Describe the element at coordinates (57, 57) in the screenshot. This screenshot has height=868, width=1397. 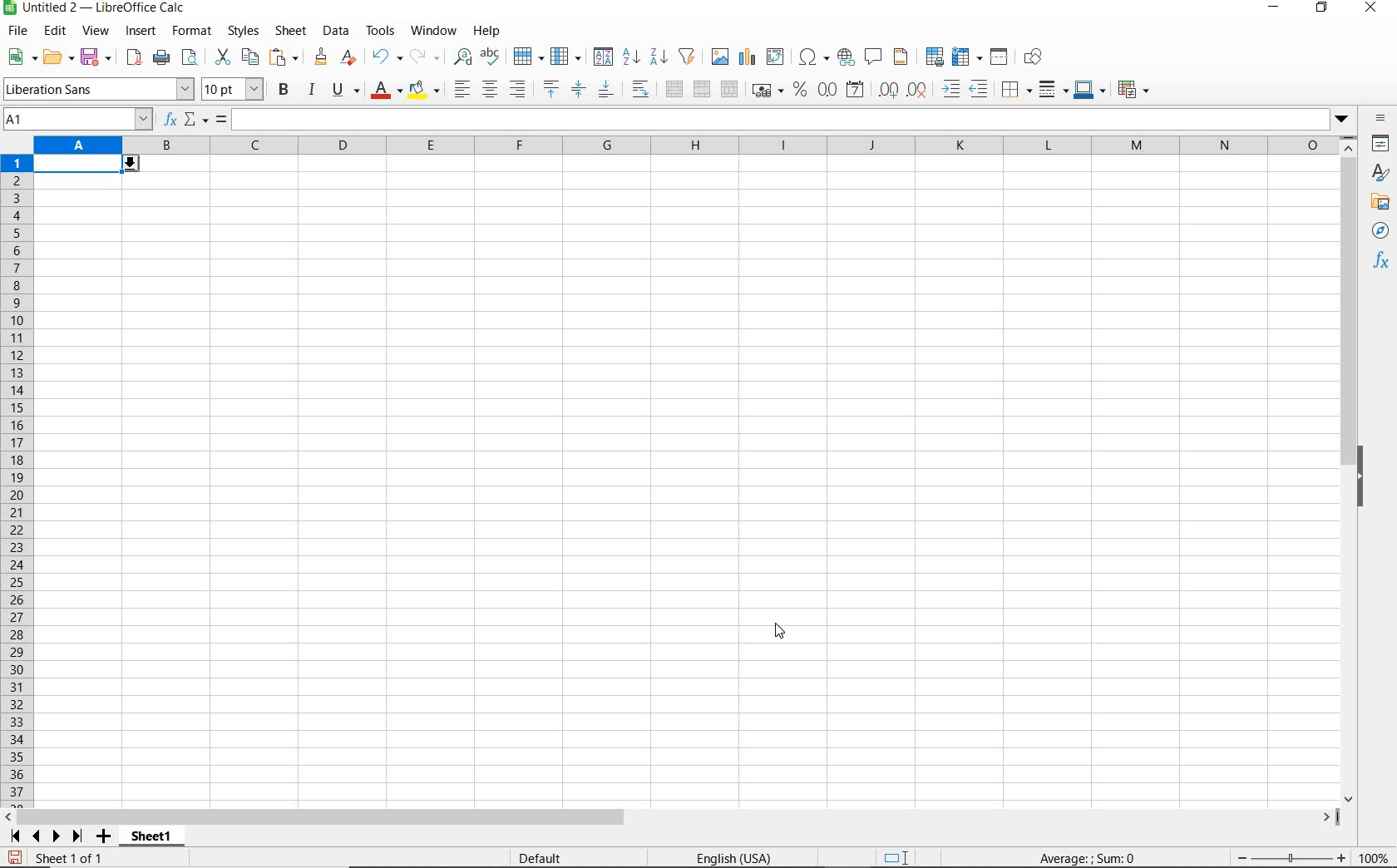
I see `open` at that location.